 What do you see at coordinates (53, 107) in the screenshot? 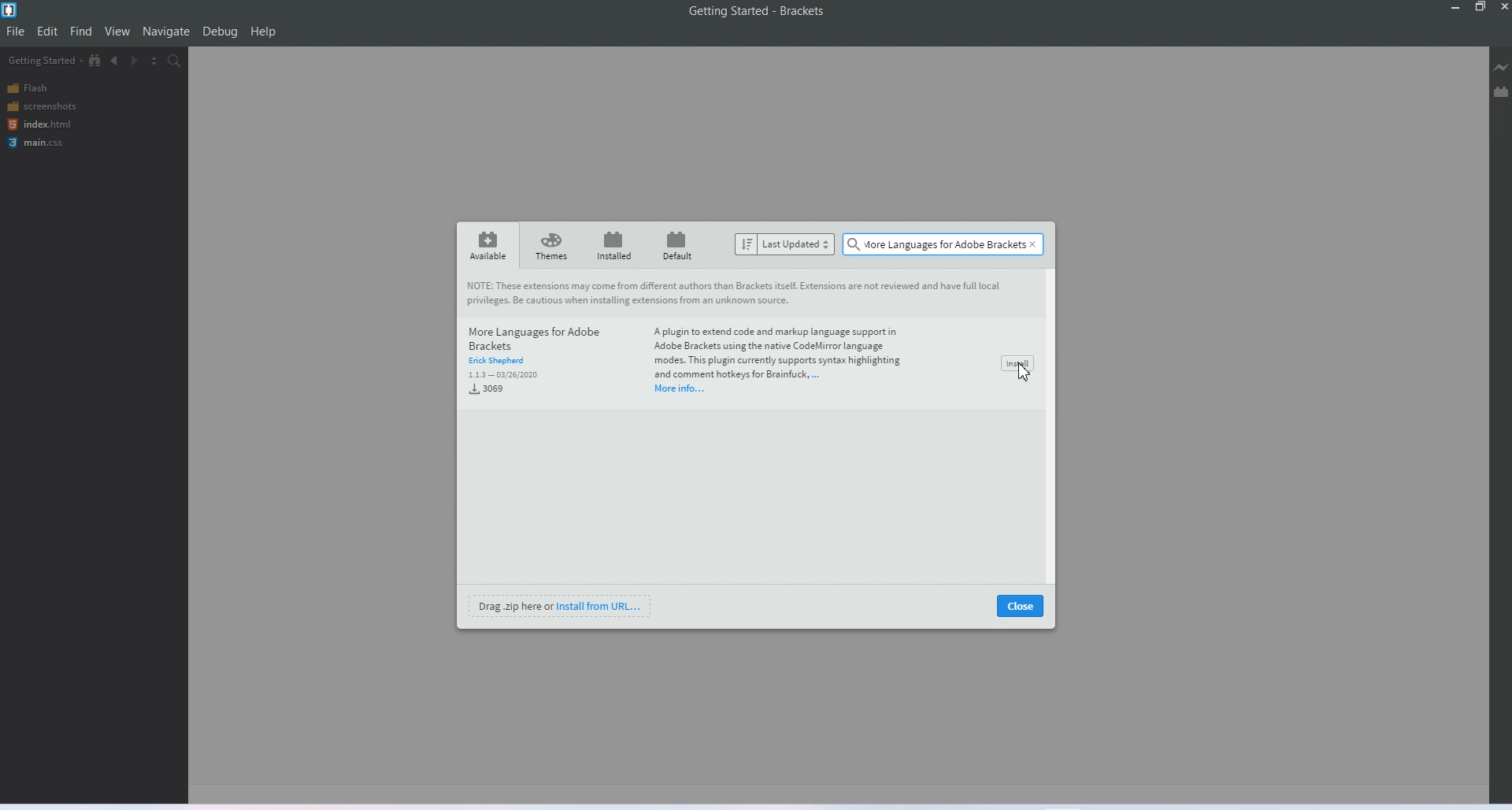
I see `Screenshots` at bounding box center [53, 107].